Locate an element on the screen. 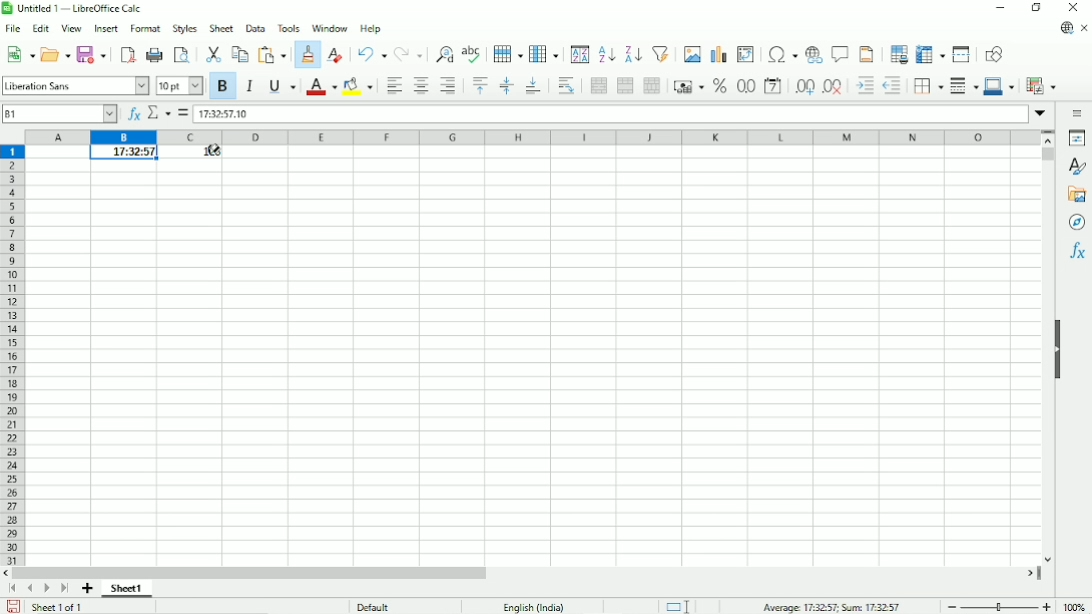 This screenshot has height=614, width=1092. Window is located at coordinates (328, 28).